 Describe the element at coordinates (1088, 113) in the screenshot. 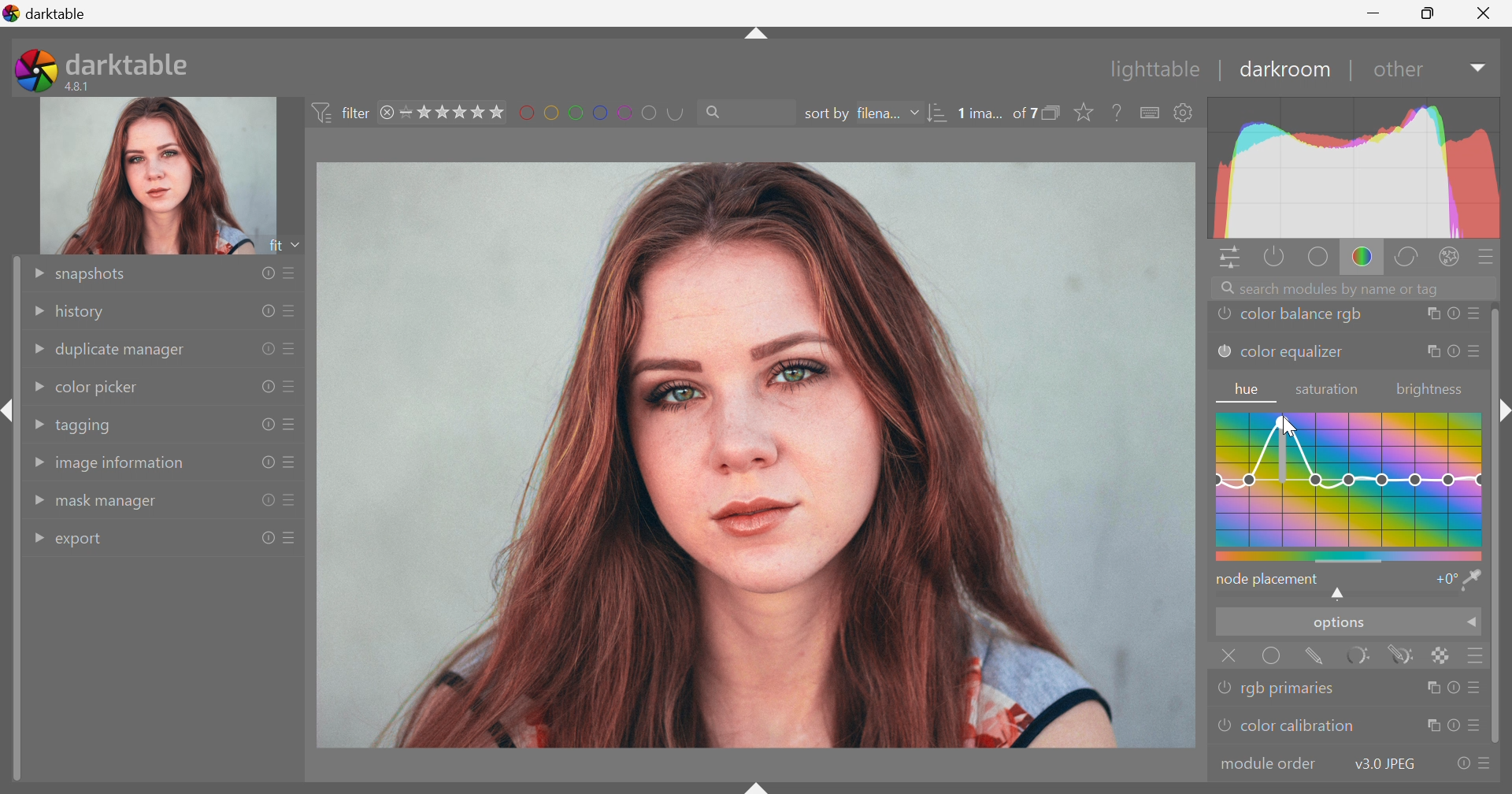

I see `click to change type of overlays shown on thumbnails` at that location.